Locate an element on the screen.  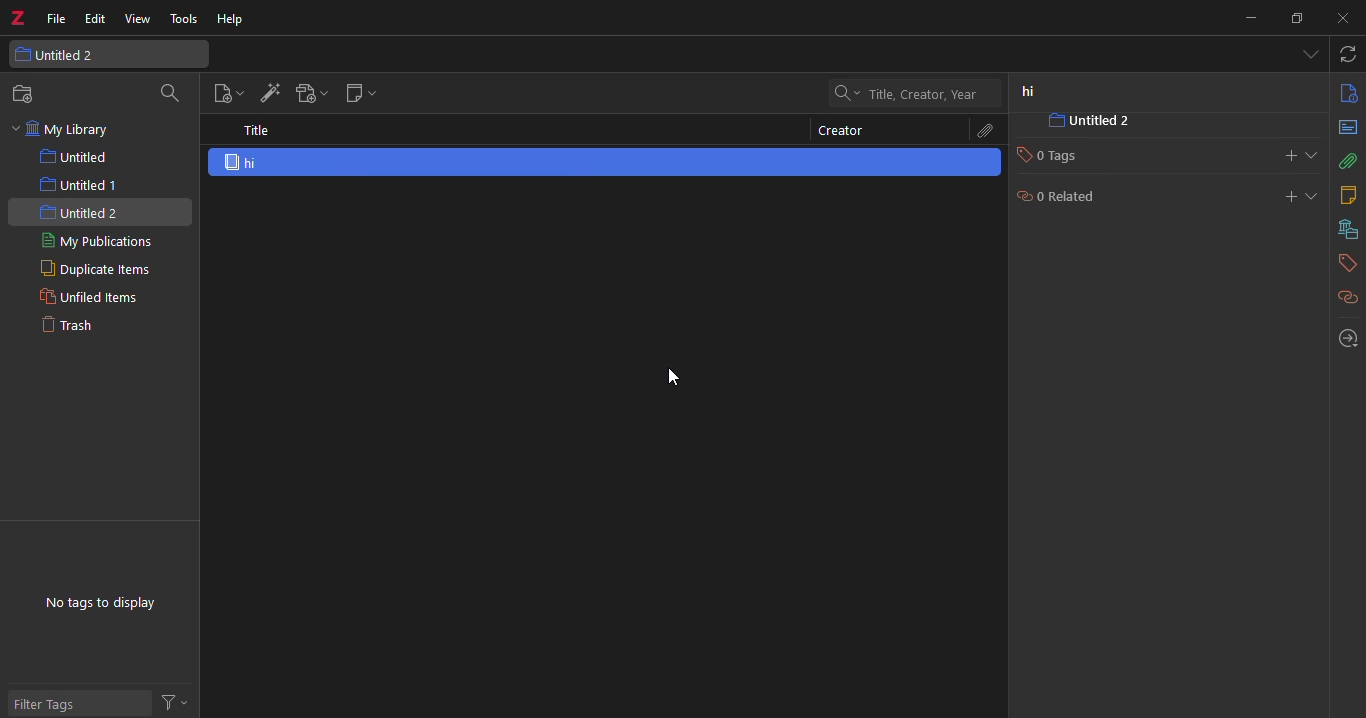
tools is located at coordinates (186, 19).